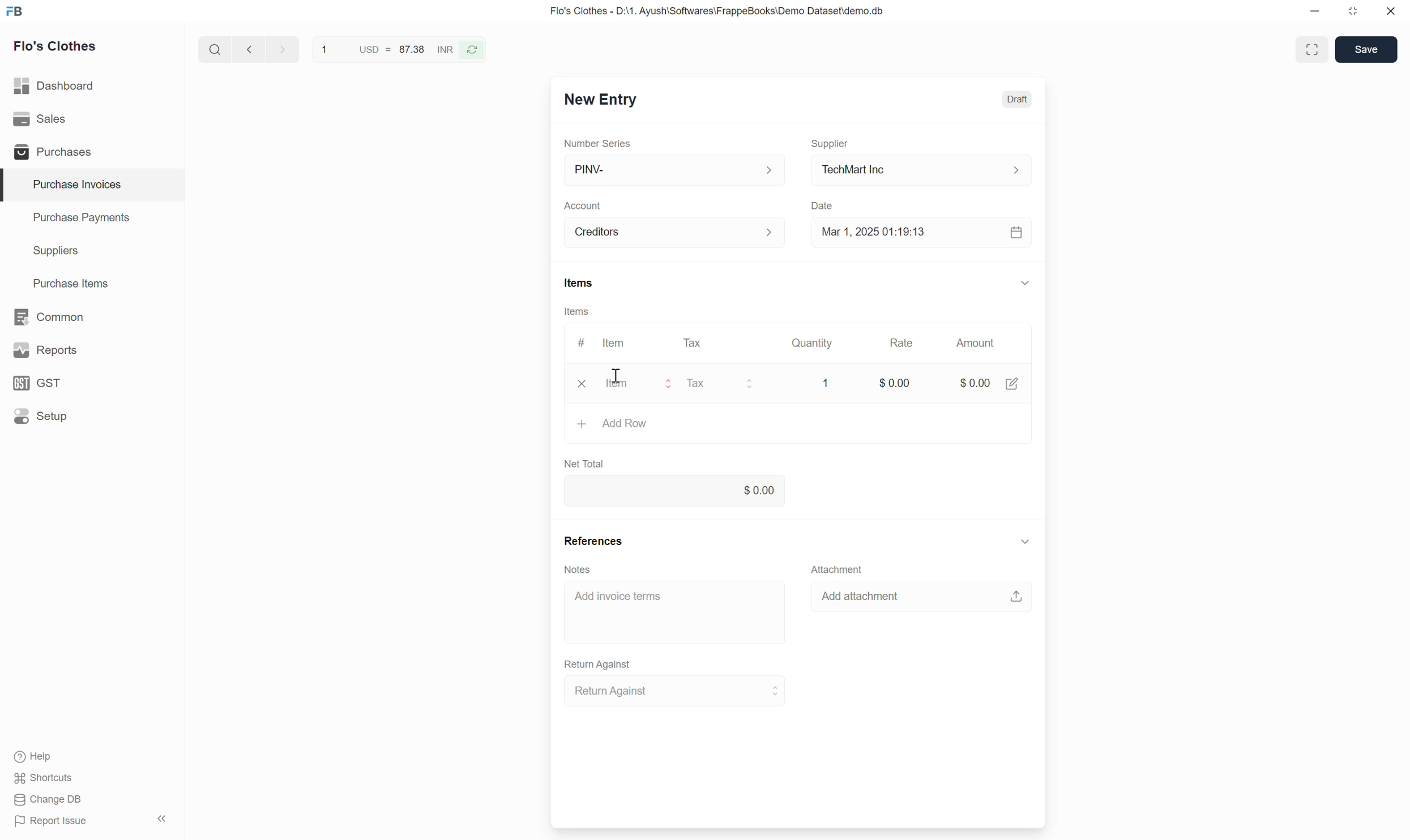  I want to click on Purchase Items, so click(65, 281).